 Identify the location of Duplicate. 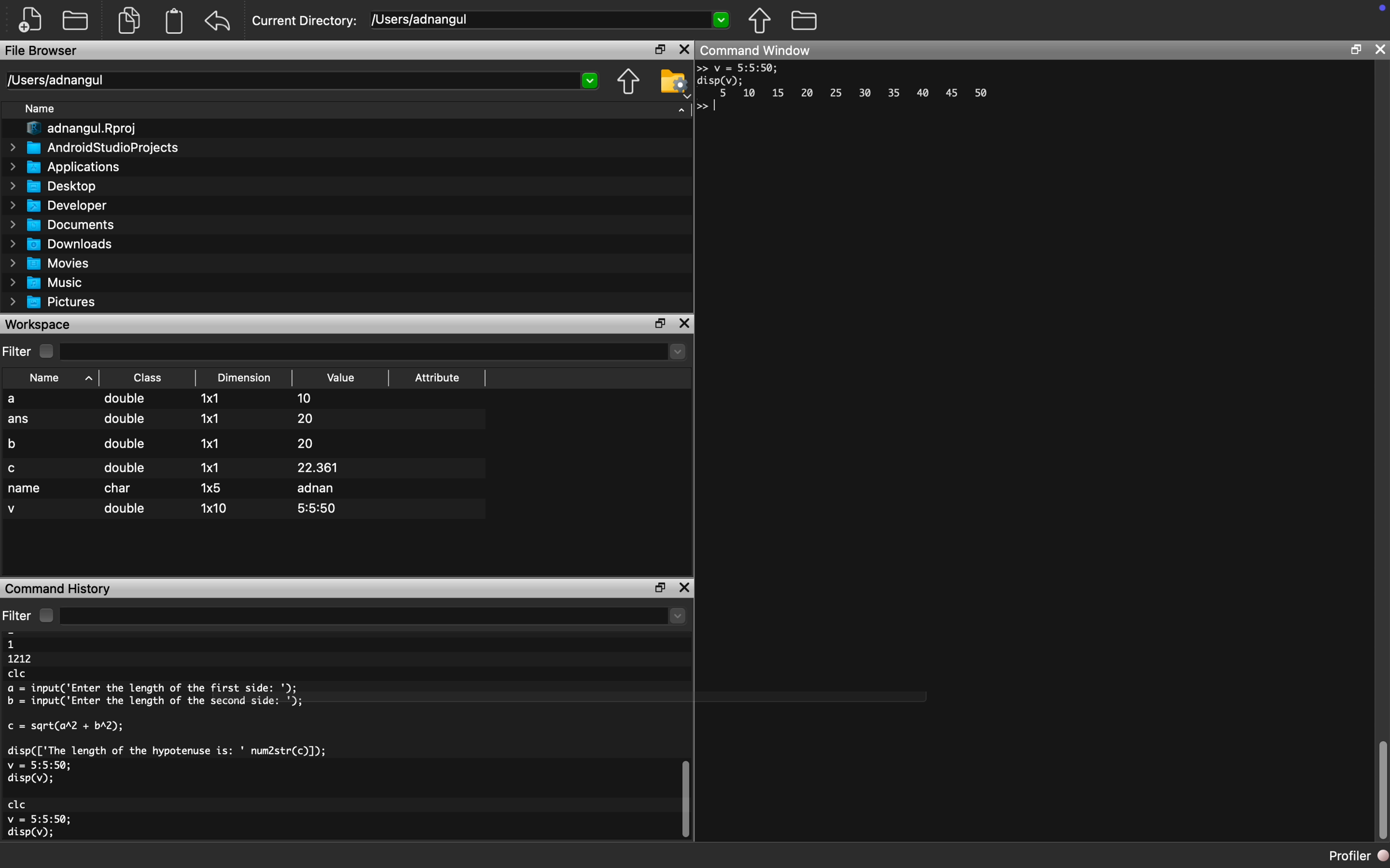
(128, 20).